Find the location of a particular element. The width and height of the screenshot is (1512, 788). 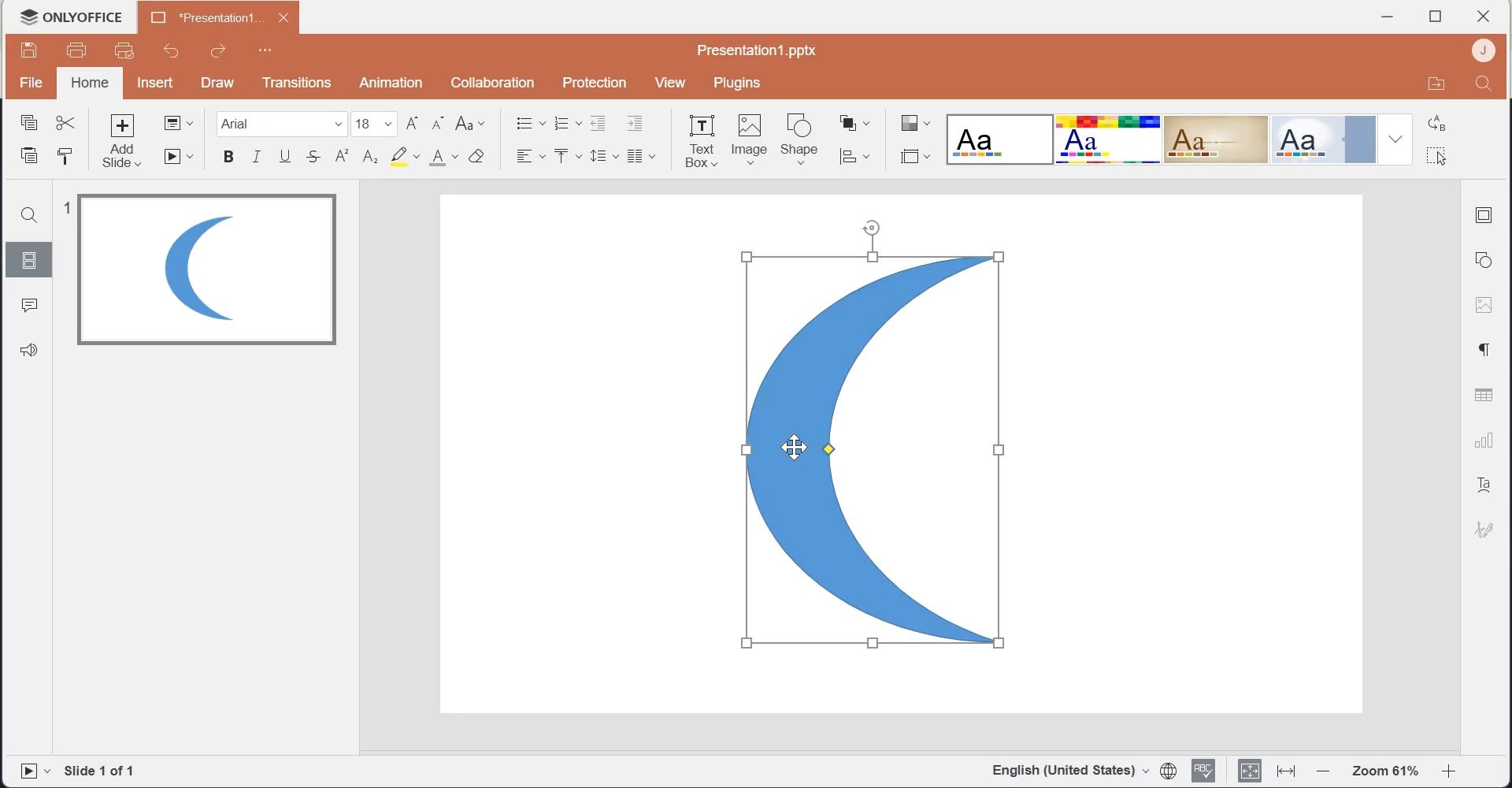

Arrange shape is located at coordinates (858, 124).